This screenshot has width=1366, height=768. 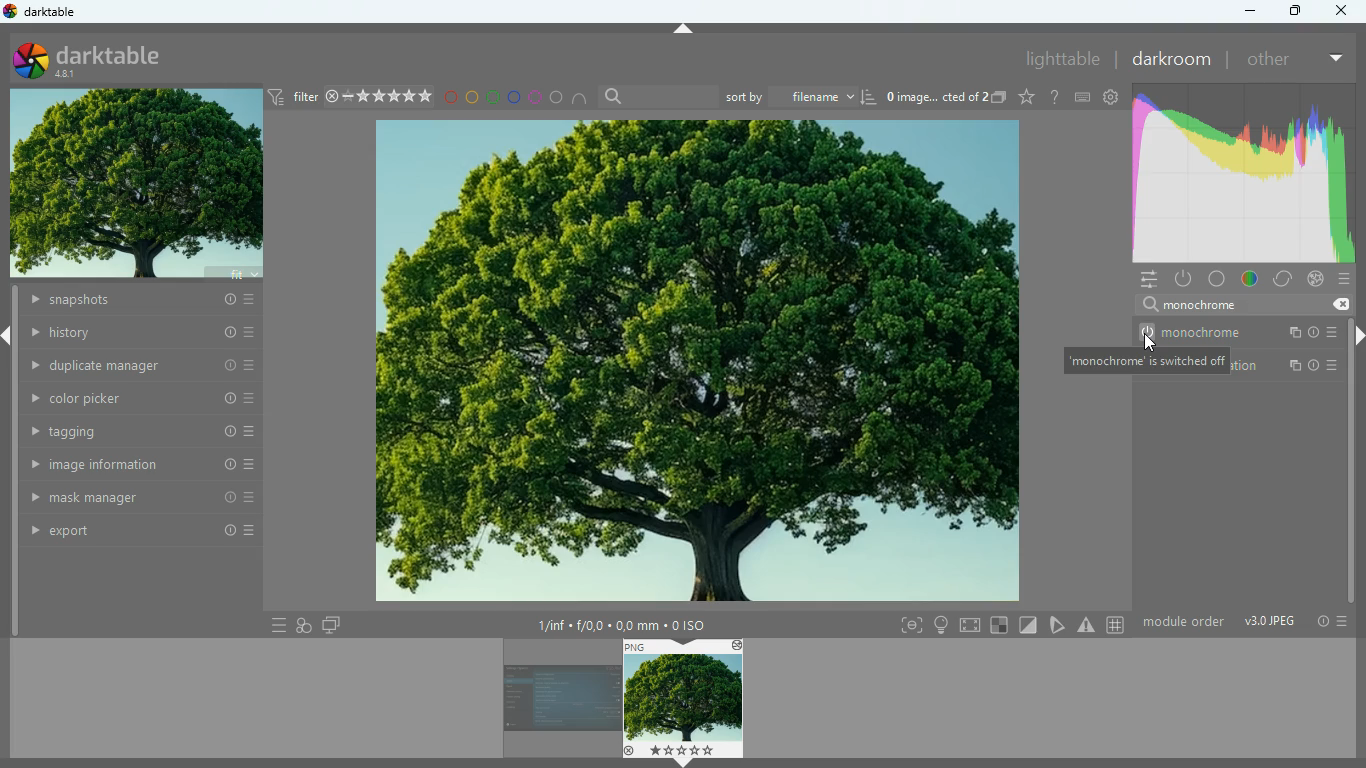 I want to click on module order, so click(x=1184, y=623).